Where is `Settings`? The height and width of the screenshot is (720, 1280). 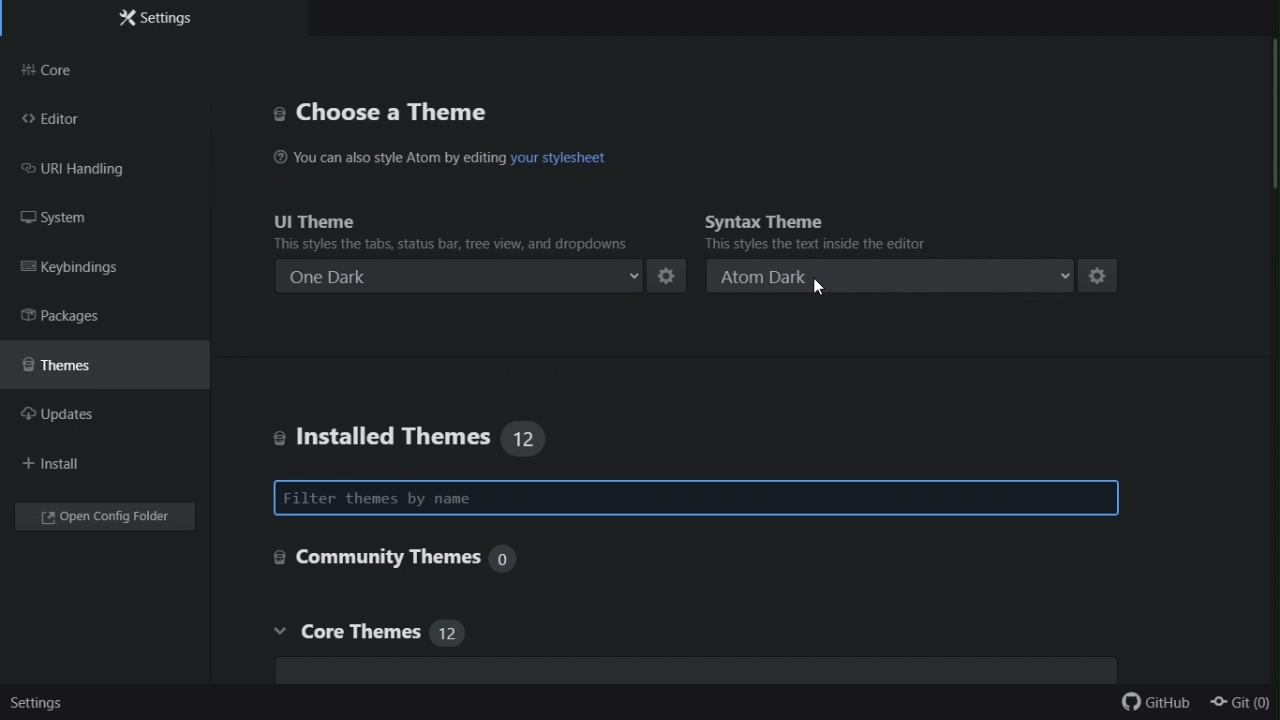 Settings is located at coordinates (149, 19).